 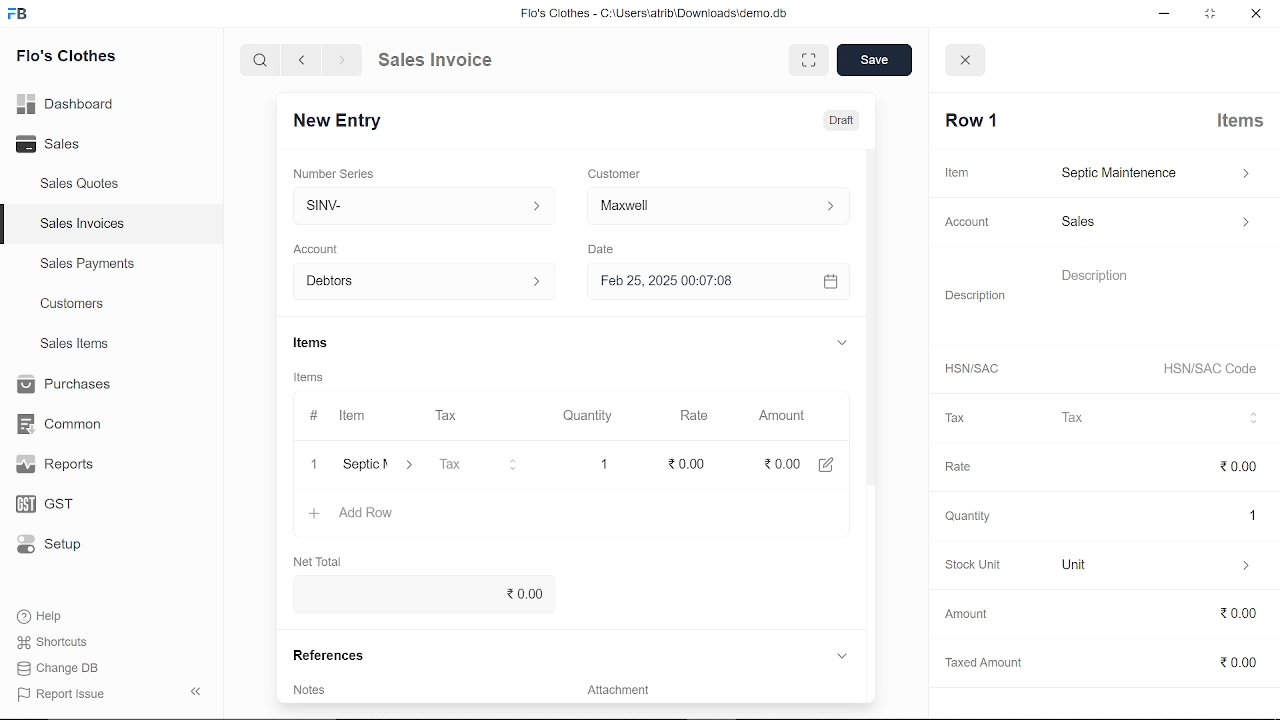 I want to click on Change DB, so click(x=60, y=667).